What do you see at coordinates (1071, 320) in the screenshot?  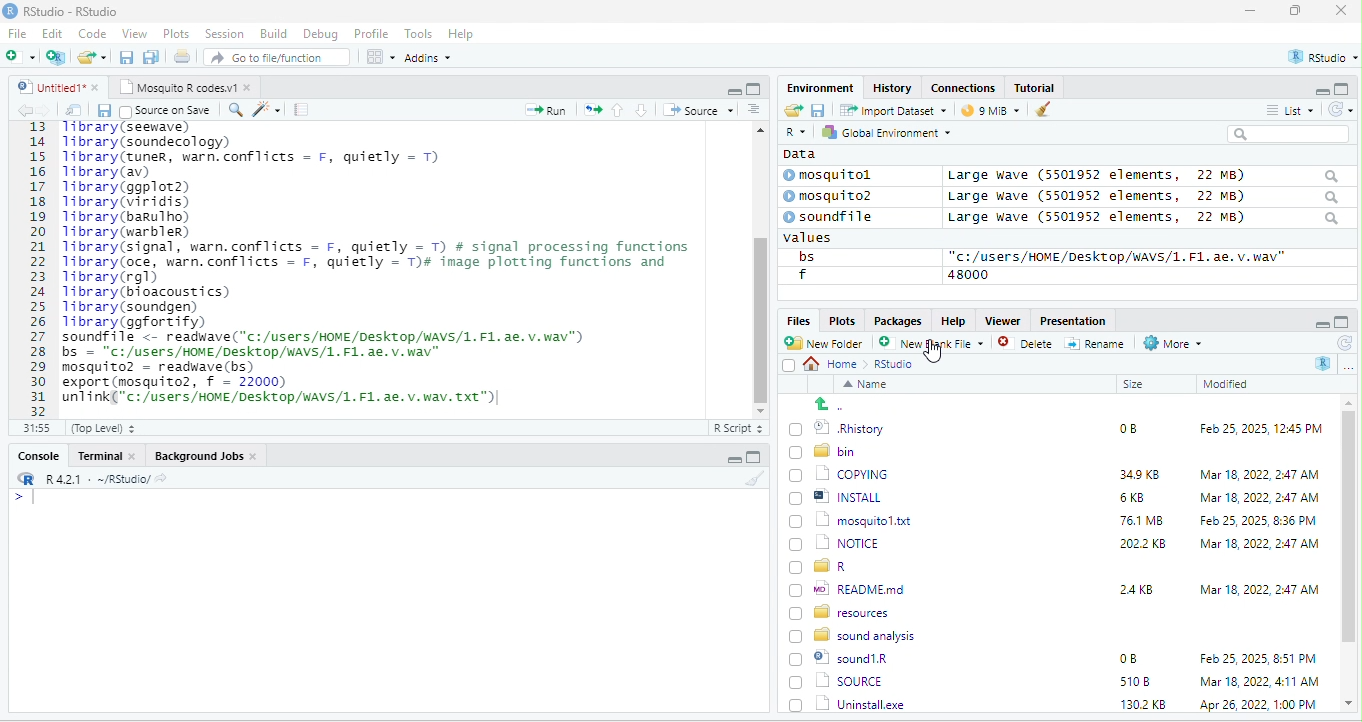 I see `Presentation` at bounding box center [1071, 320].